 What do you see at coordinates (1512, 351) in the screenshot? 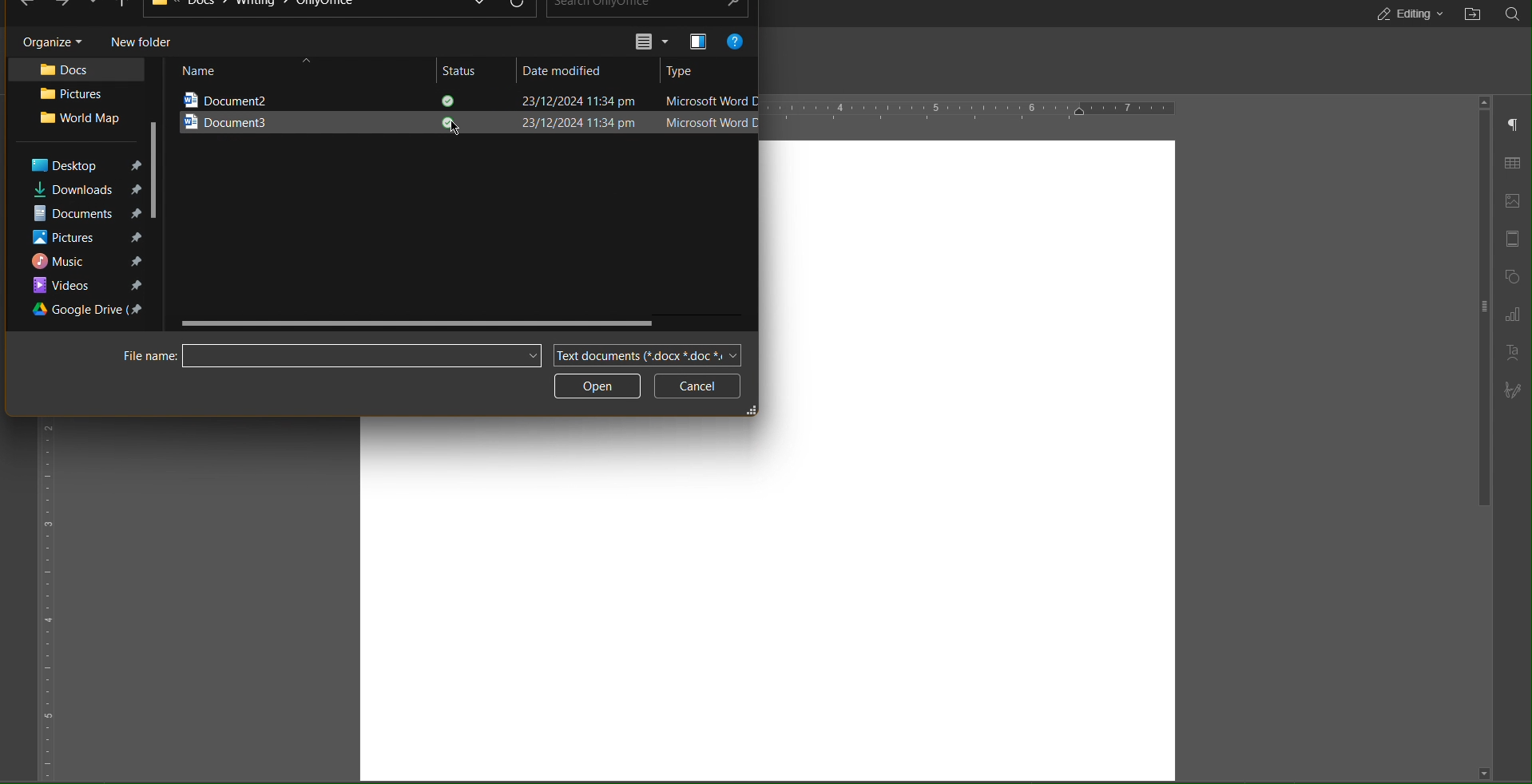
I see `Text Art` at bounding box center [1512, 351].